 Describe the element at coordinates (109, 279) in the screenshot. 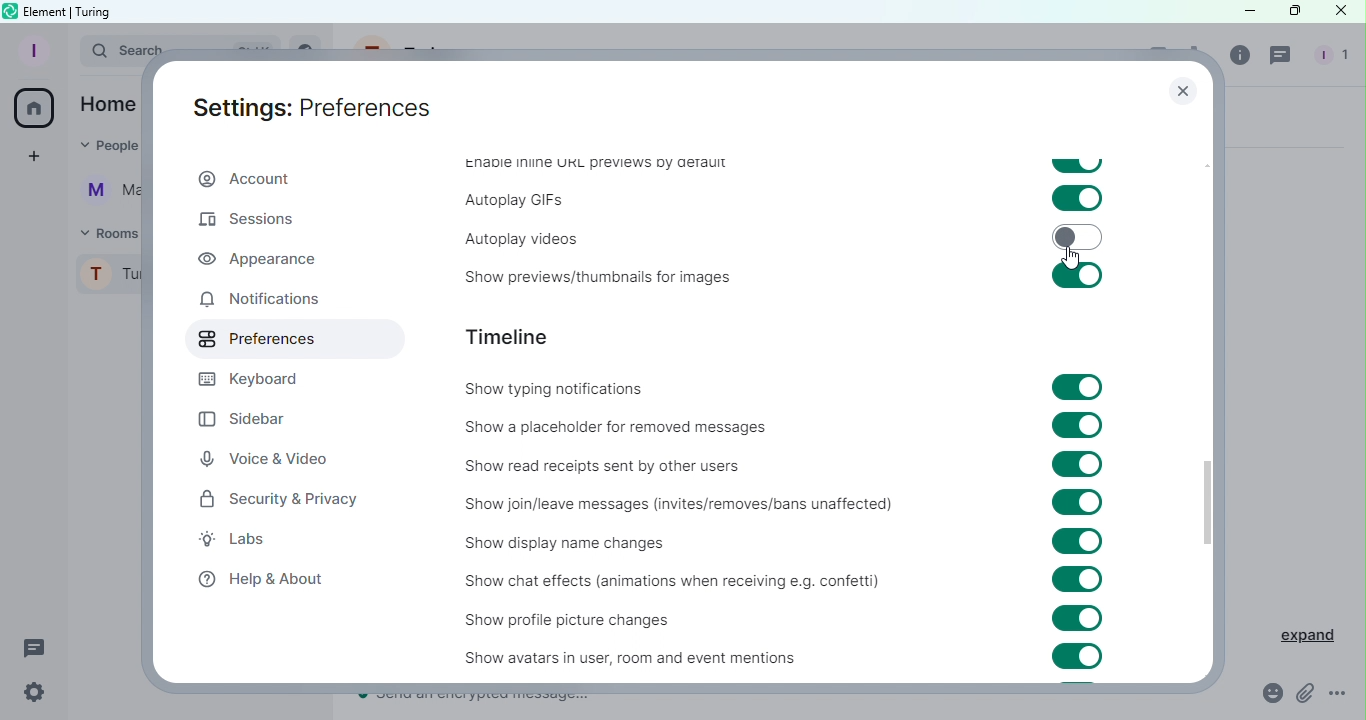

I see `Turing` at that location.